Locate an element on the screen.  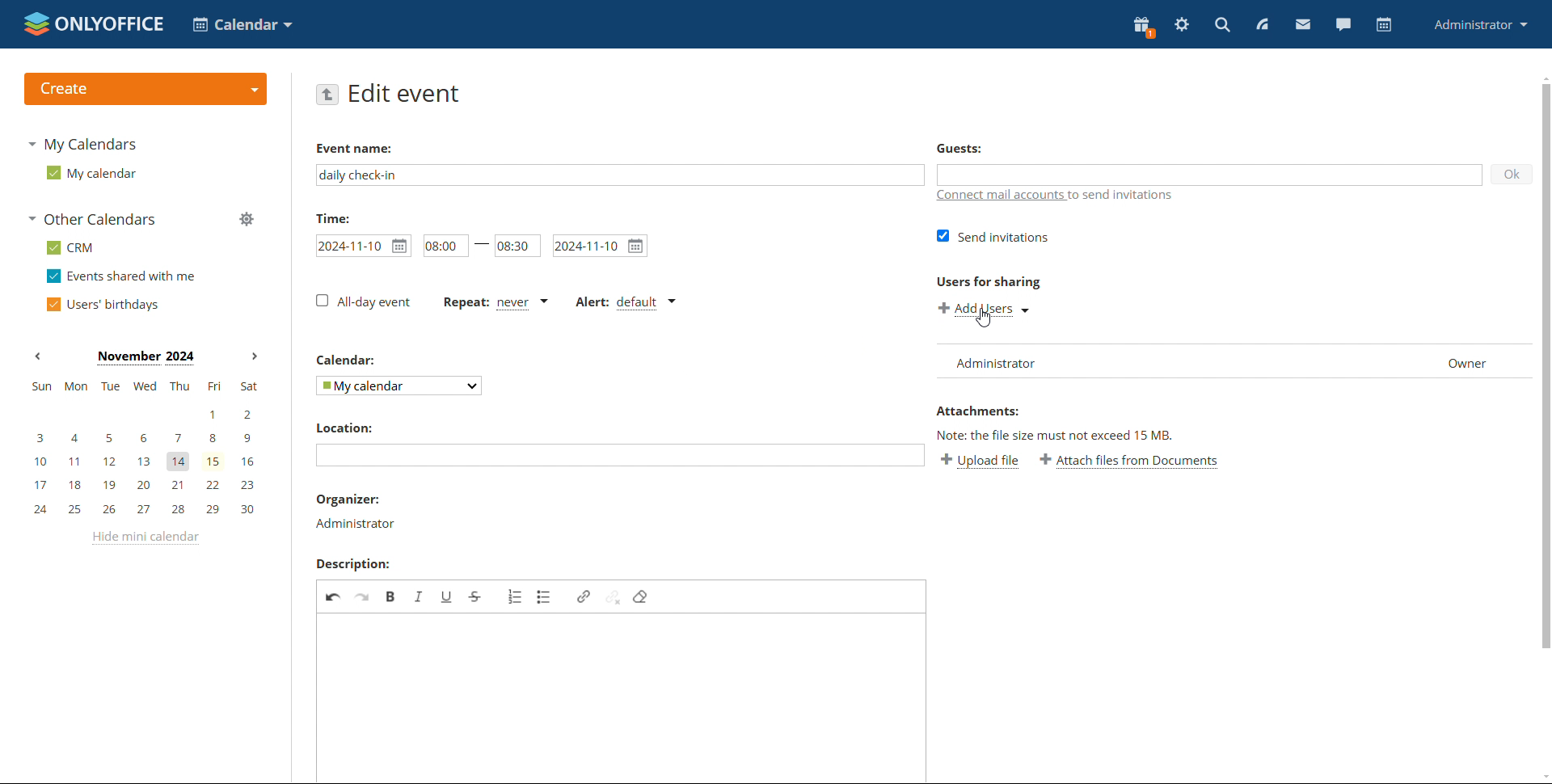
logo is located at coordinates (94, 23).